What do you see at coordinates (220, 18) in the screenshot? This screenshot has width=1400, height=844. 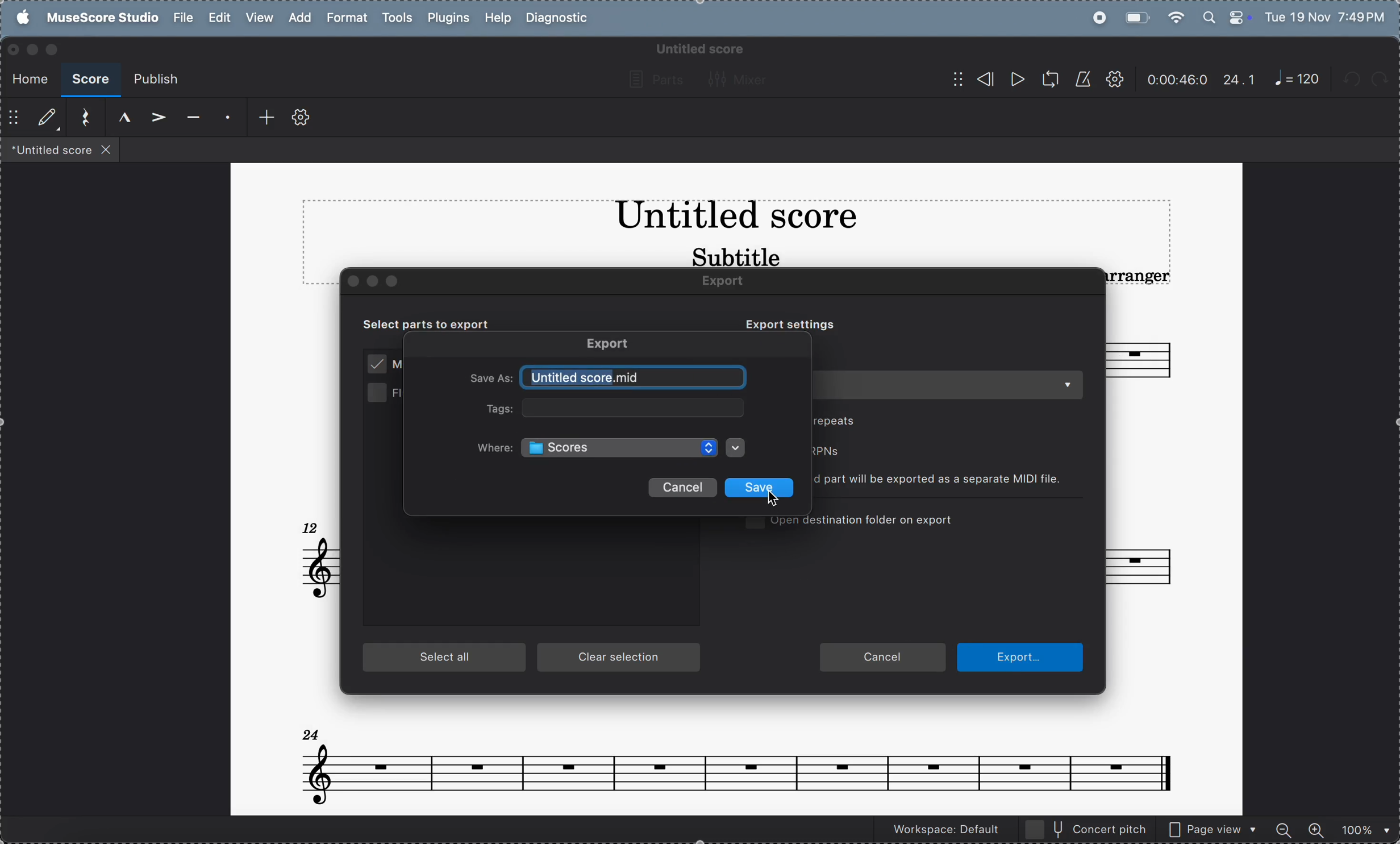 I see `edit` at bounding box center [220, 18].